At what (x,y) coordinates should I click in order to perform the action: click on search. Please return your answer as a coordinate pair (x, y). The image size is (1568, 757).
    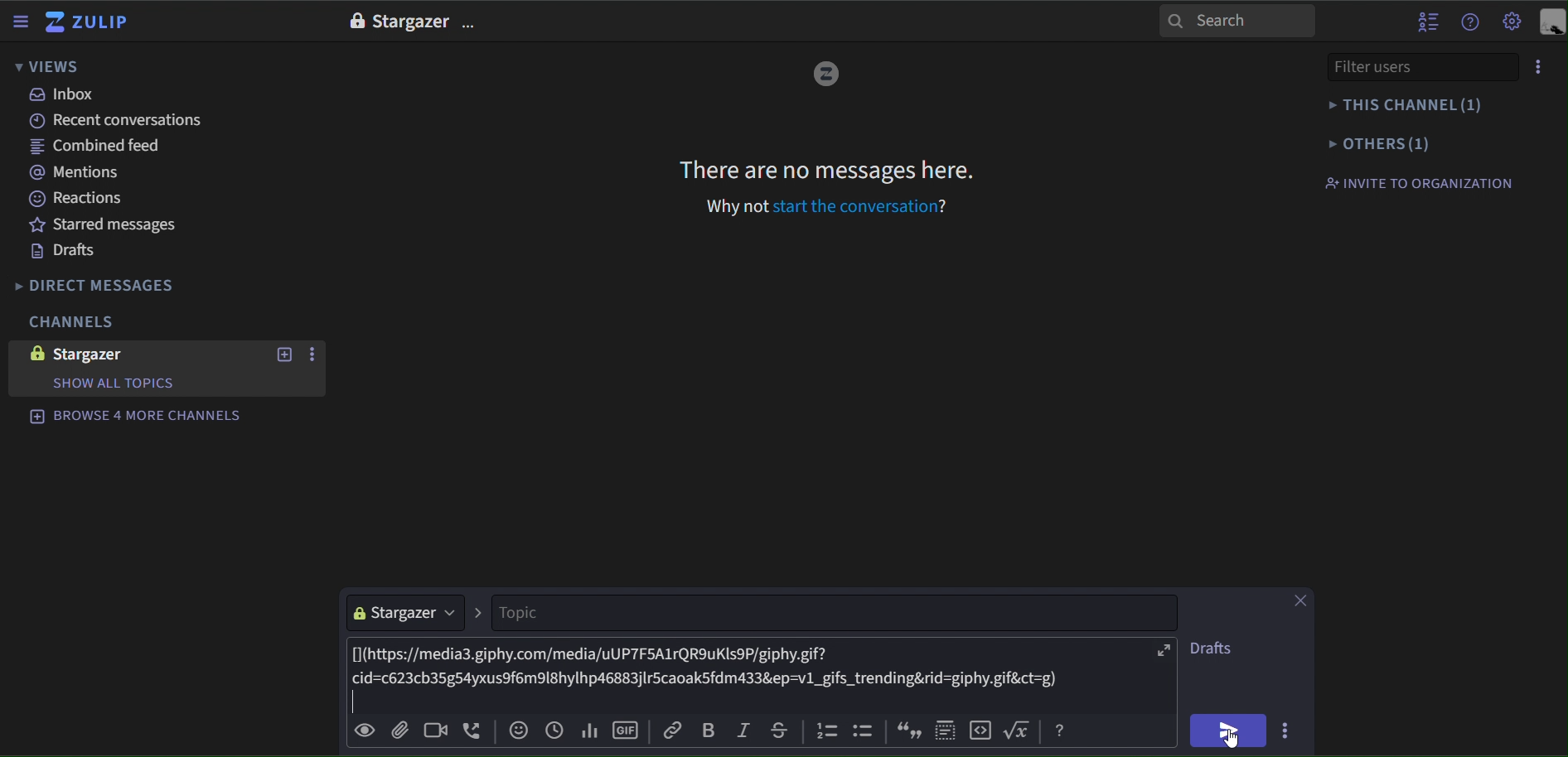
    Looking at the image, I should click on (1237, 20).